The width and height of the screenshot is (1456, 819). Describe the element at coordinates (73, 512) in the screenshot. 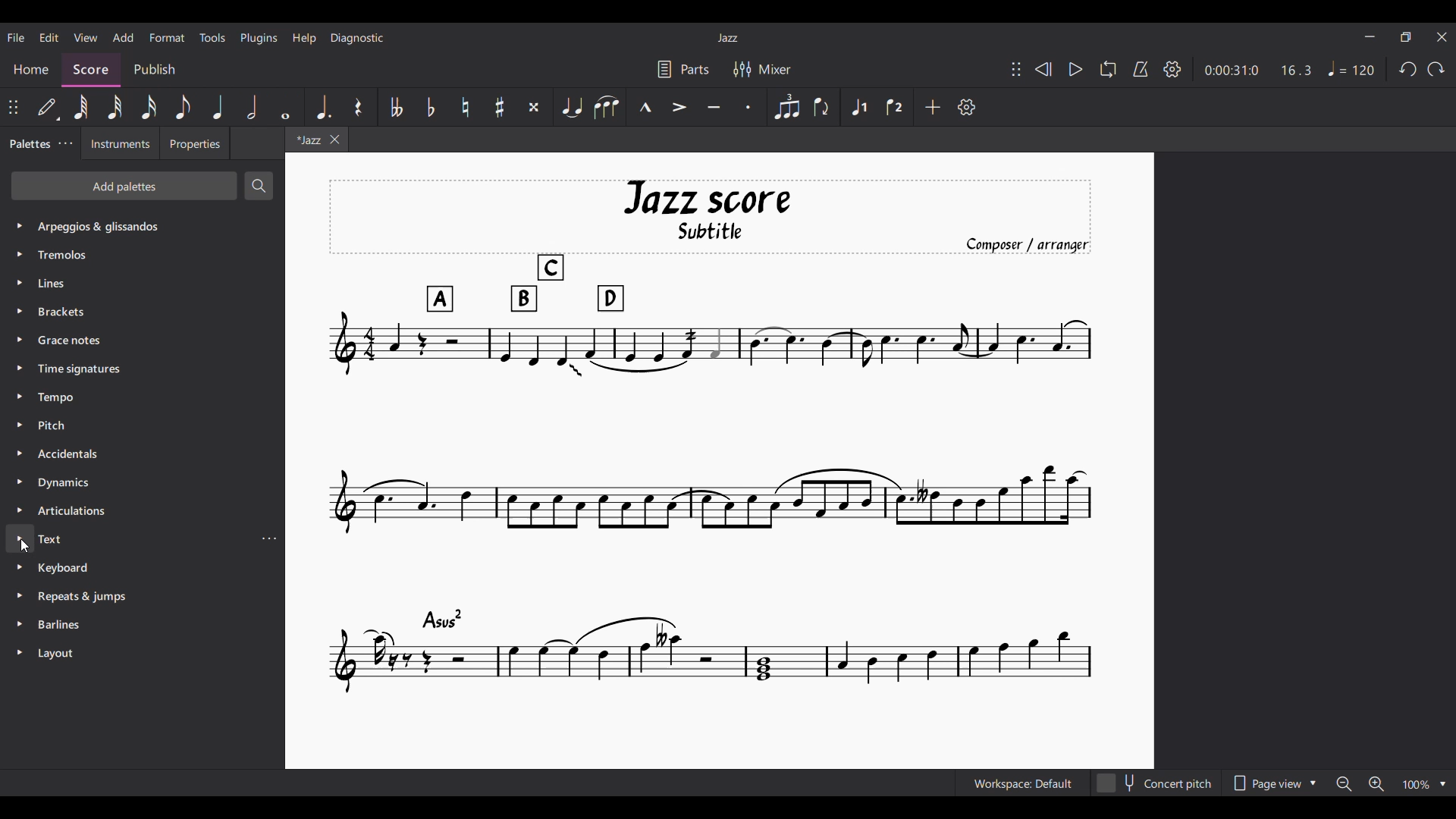

I see `` at that location.